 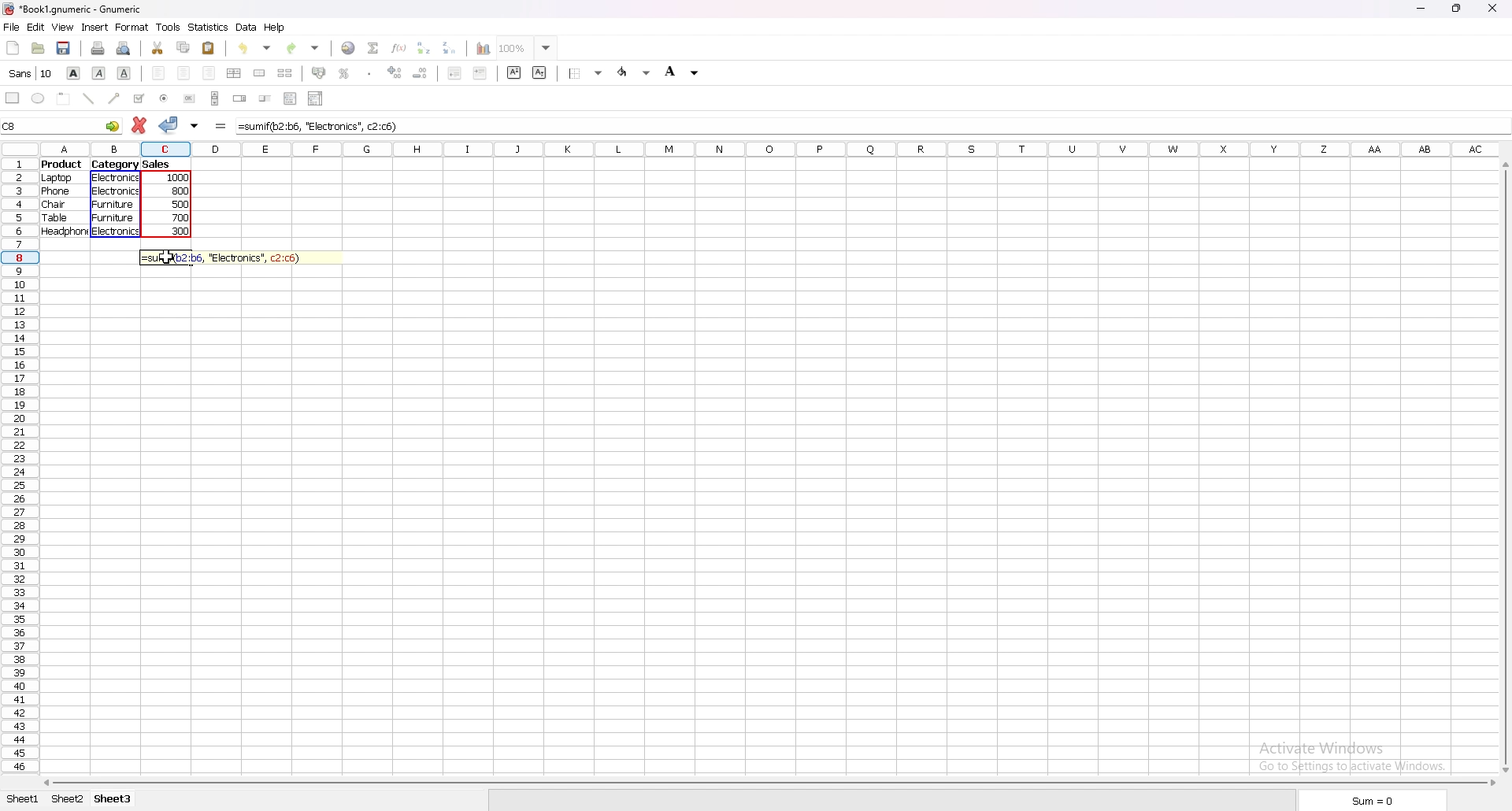 What do you see at coordinates (13, 98) in the screenshot?
I see `rectangle` at bounding box center [13, 98].